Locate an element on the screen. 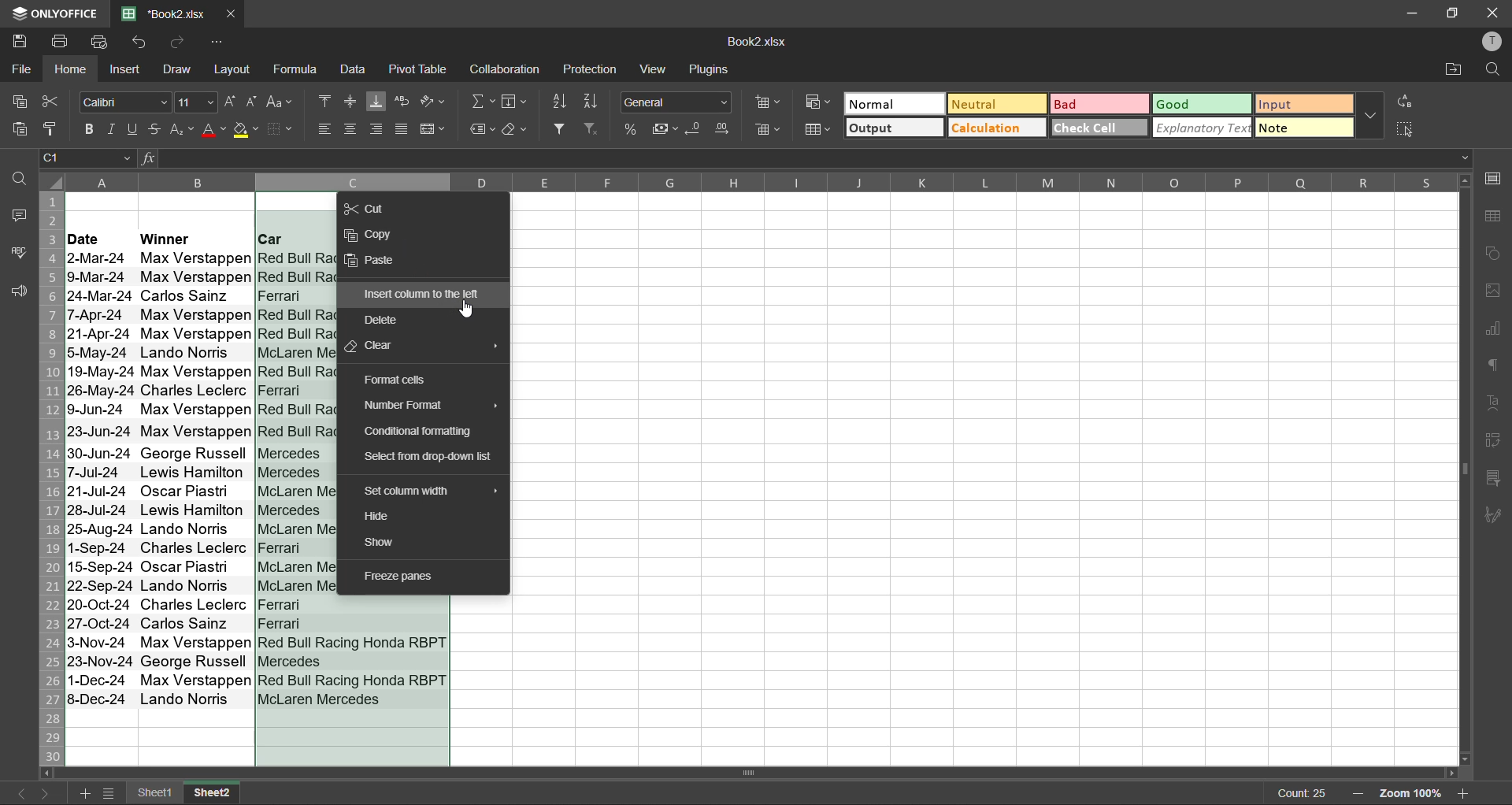  bold is located at coordinates (89, 128).